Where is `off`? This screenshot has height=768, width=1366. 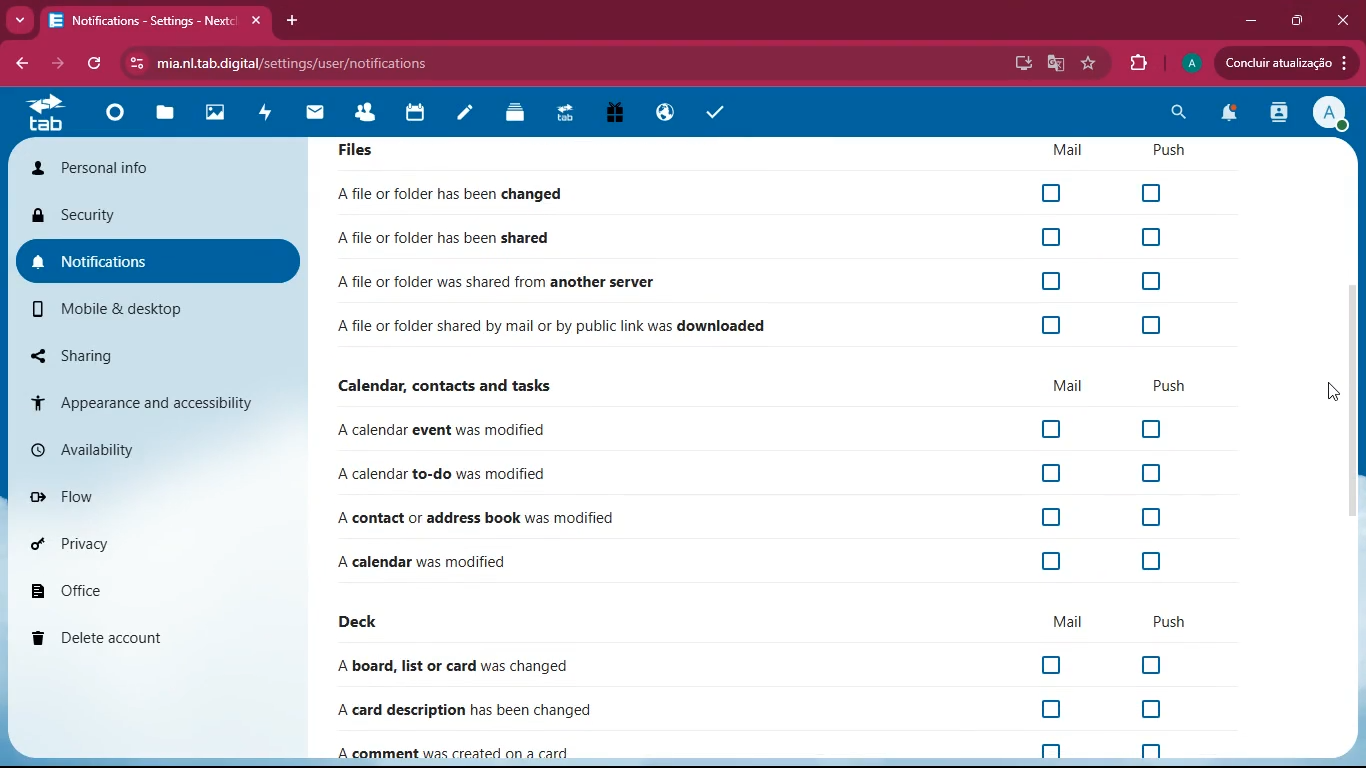
off is located at coordinates (1147, 431).